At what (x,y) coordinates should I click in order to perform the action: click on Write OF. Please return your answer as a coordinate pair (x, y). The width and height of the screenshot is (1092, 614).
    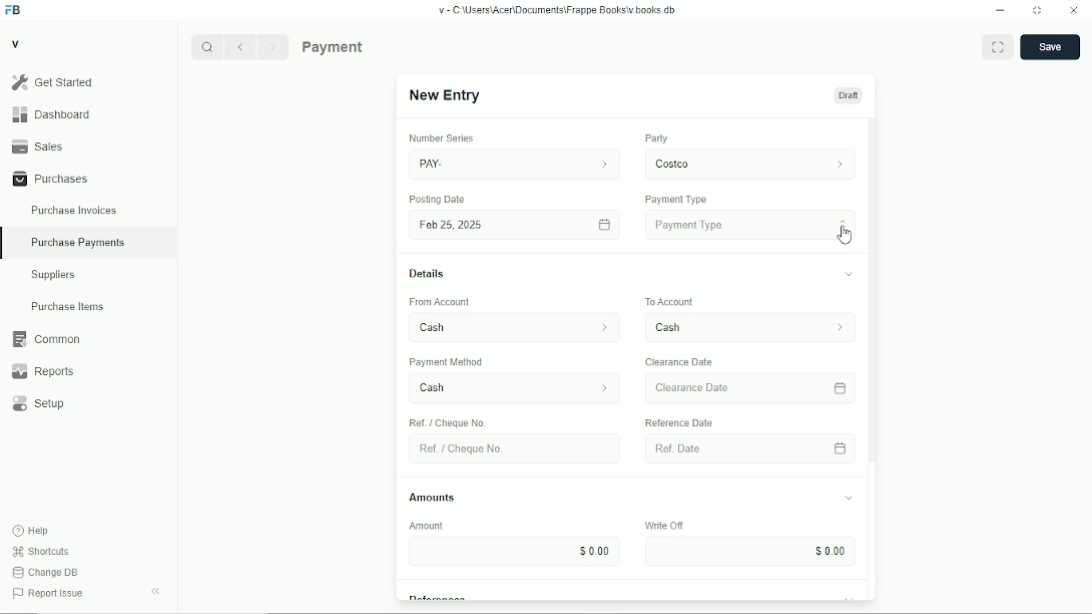
    Looking at the image, I should click on (659, 524).